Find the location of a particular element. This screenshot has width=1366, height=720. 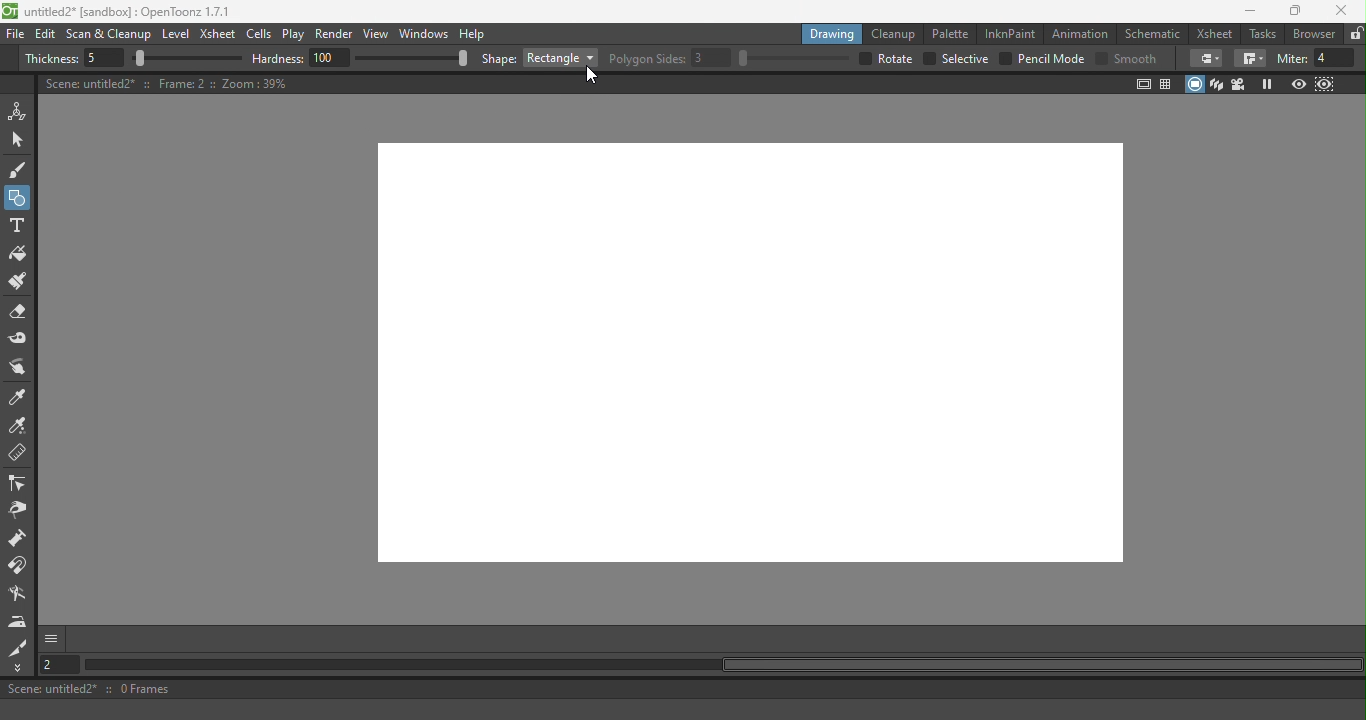

Sub-camera preview is located at coordinates (1323, 83).